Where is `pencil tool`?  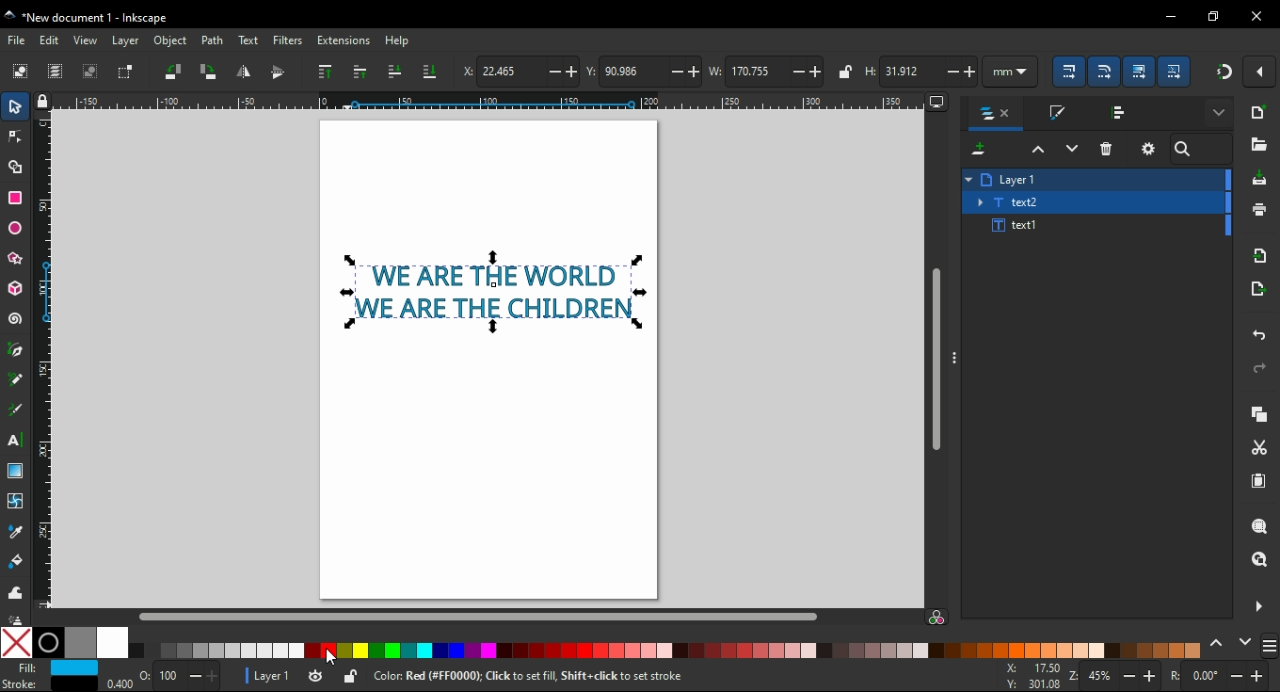 pencil tool is located at coordinates (16, 380).